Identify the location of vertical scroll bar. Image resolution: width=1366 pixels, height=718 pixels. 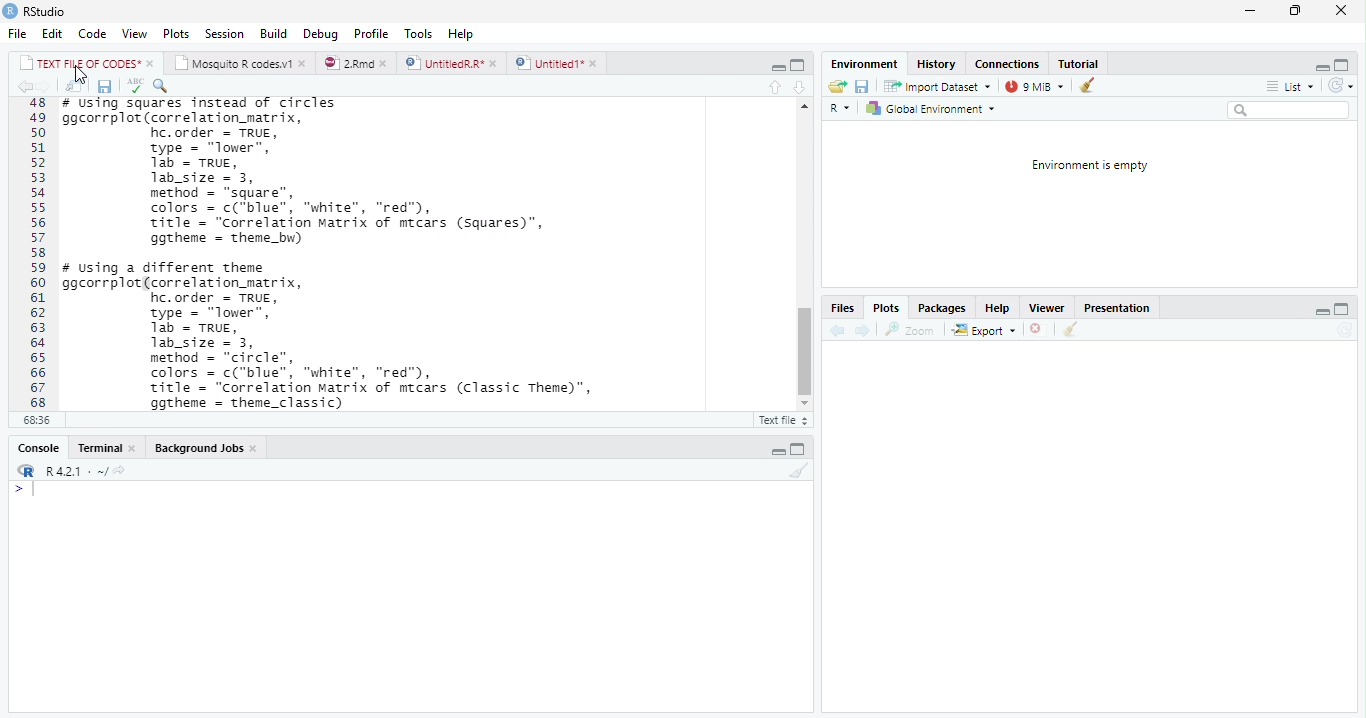
(803, 258).